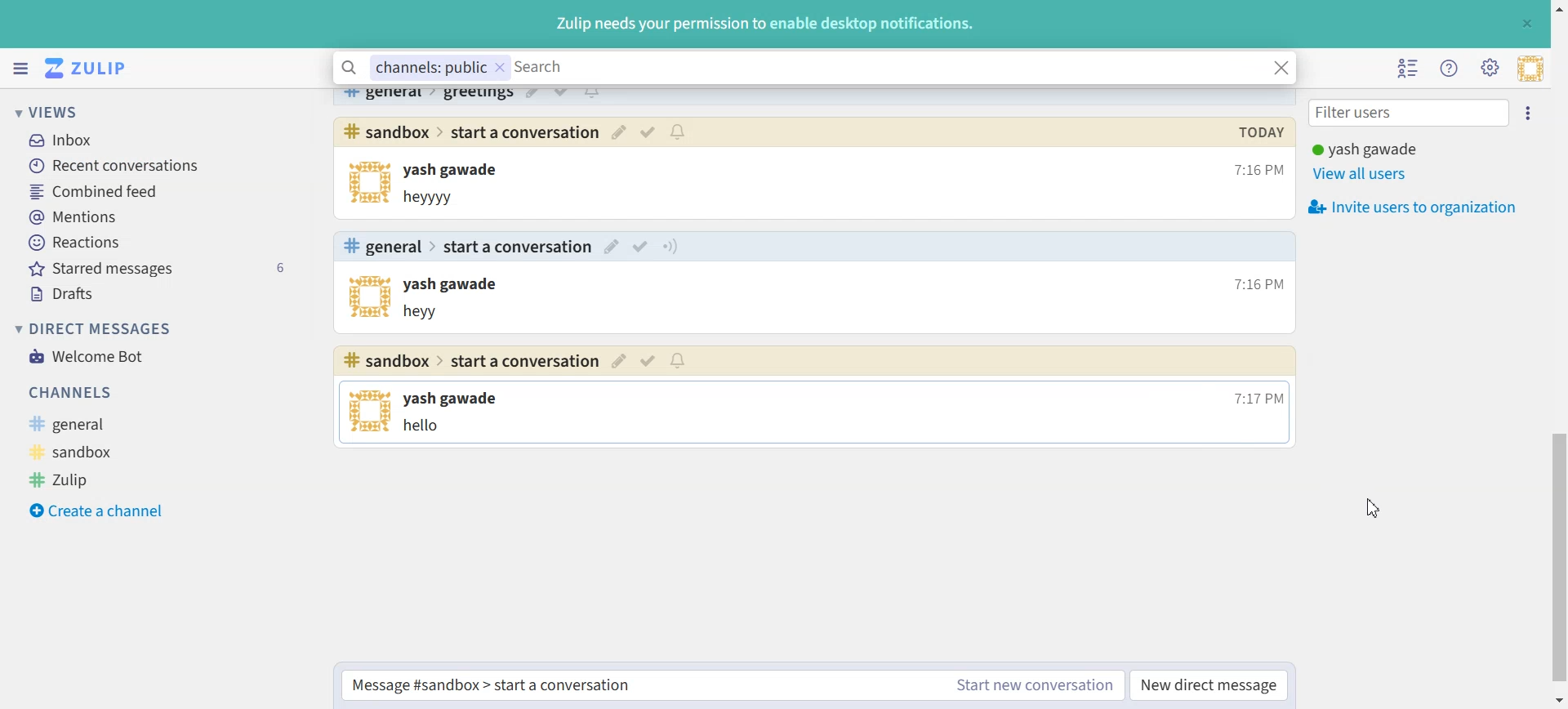 The height and width of the screenshot is (709, 1568). What do you see at coordinates (145, 393) in the screenshot?
I see `Channels` at bounding box center [145, 393].